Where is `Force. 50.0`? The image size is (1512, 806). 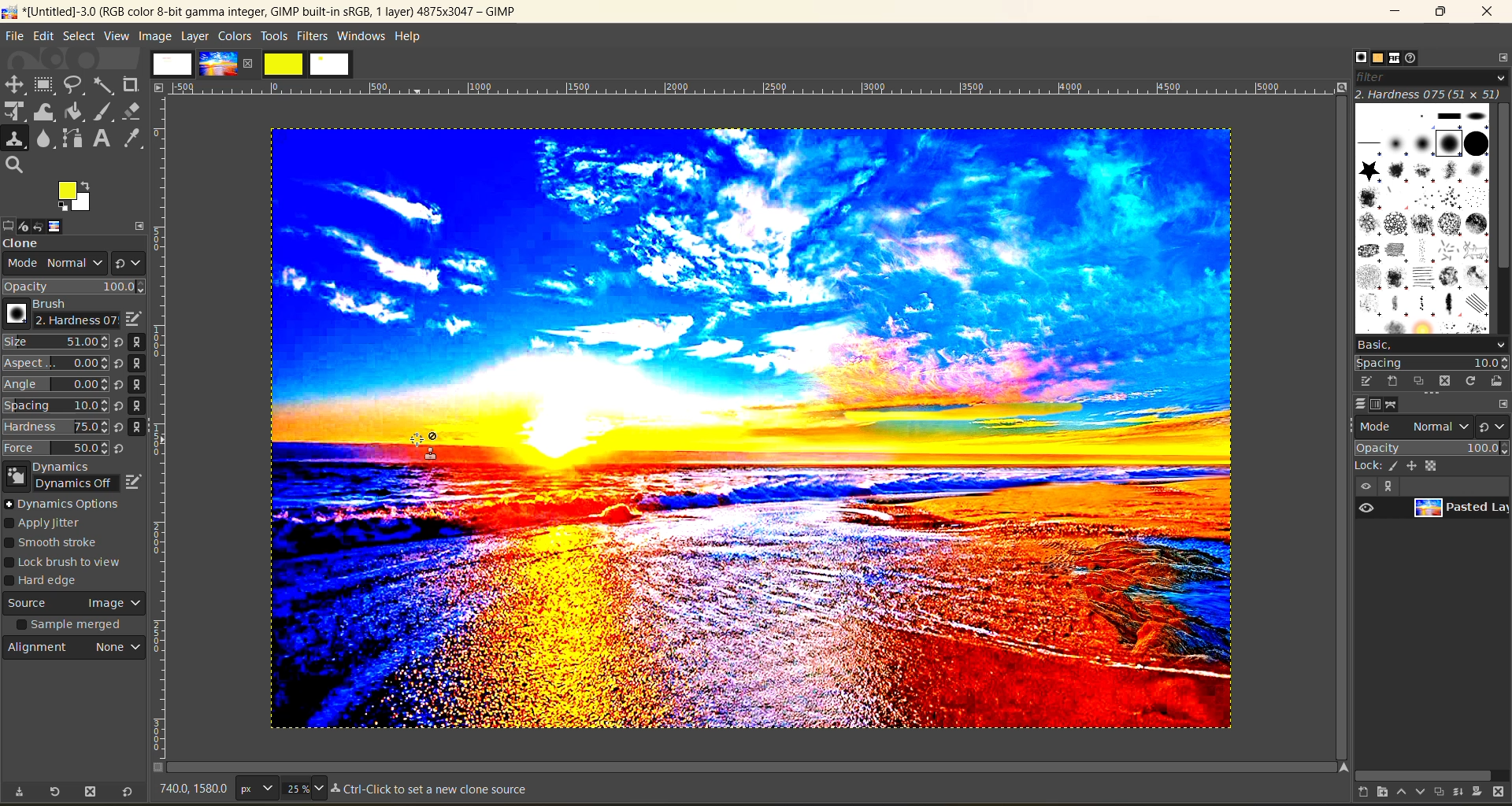
Force. 50.0 is located at coordinates (56, 448).